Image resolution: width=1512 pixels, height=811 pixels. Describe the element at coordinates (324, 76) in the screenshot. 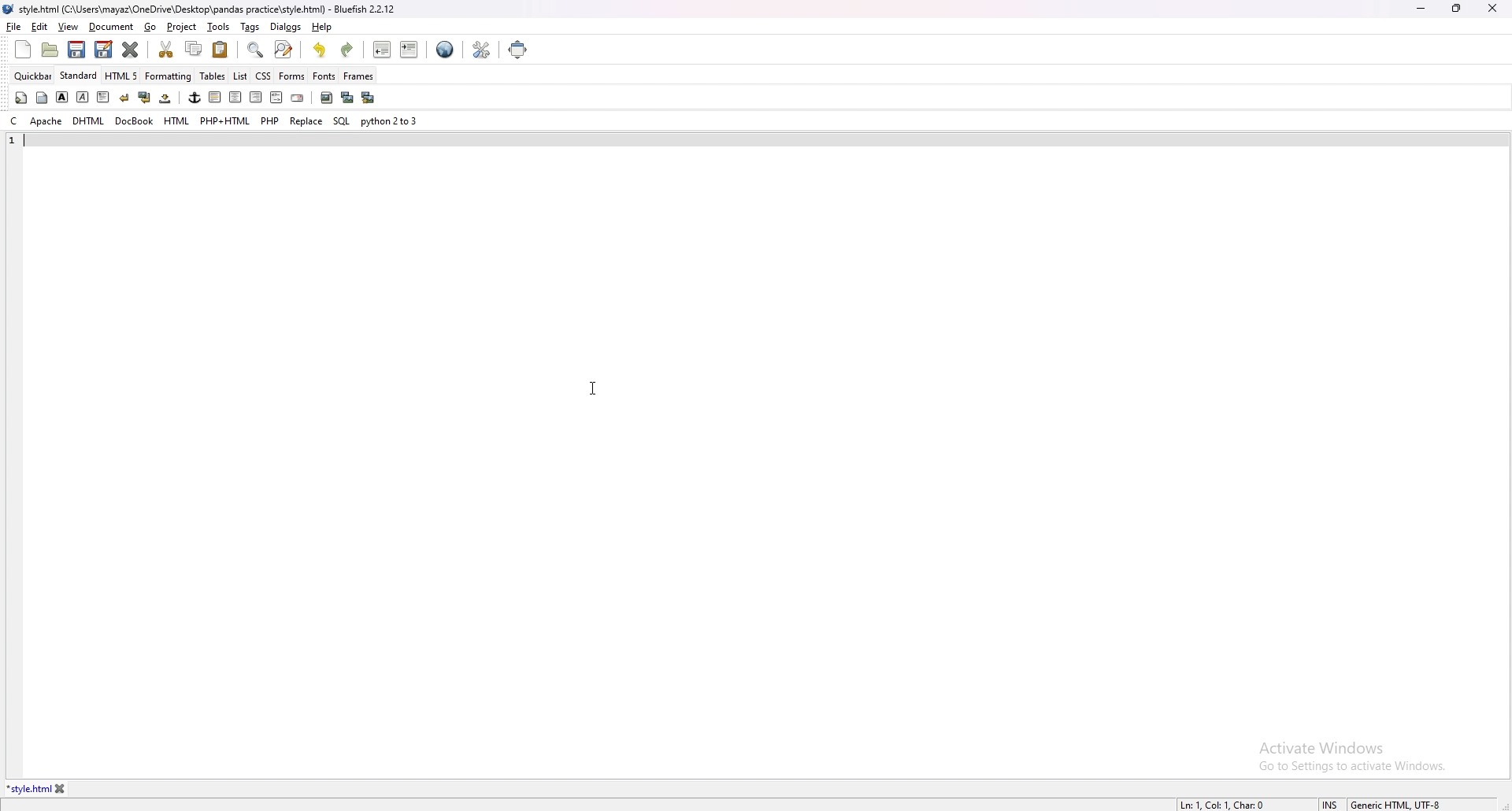

I see `fonts` at that location.